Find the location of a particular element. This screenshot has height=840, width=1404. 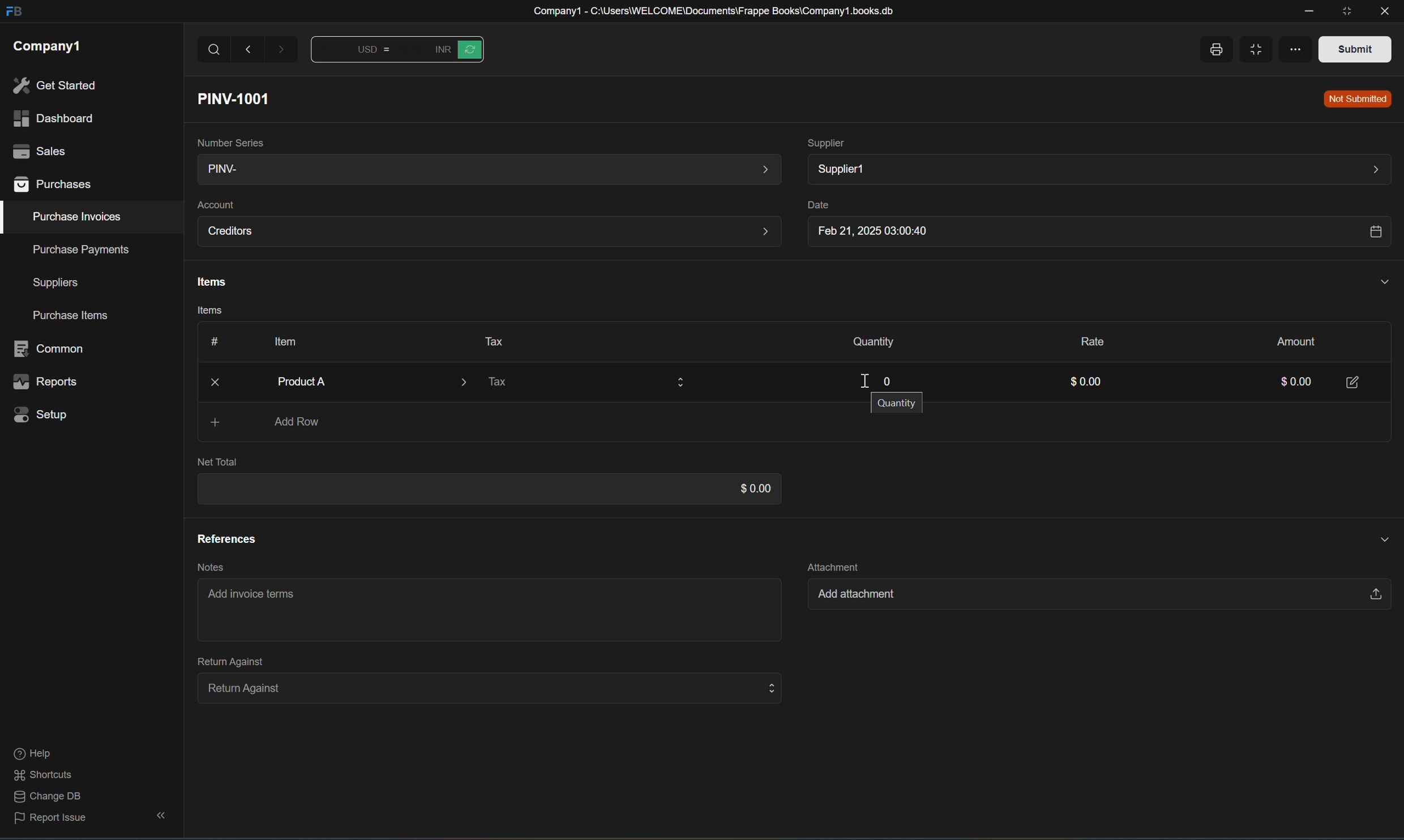

Full width toggle is located at coordinates (1252, 51).